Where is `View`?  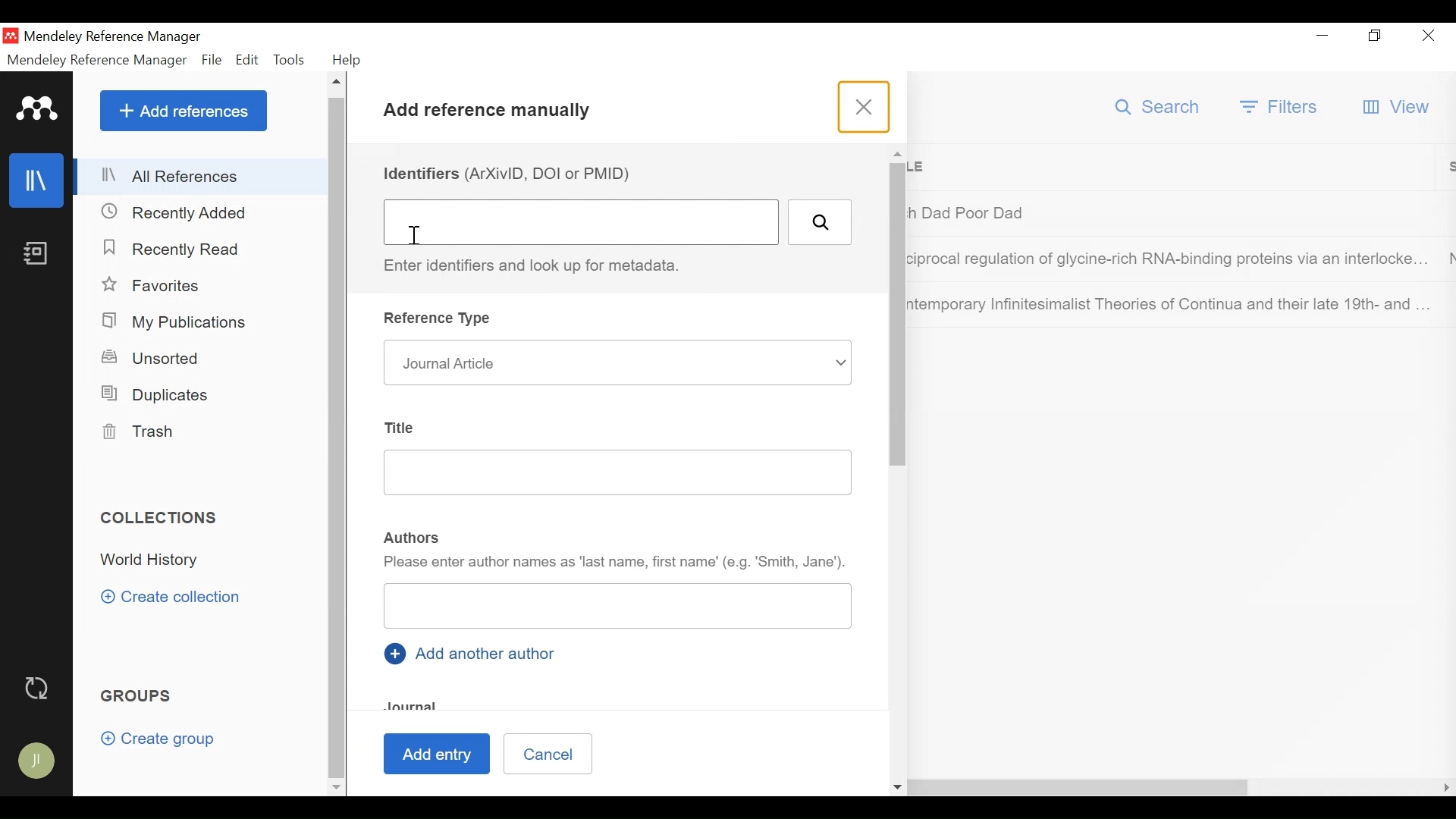
View is located at coordinates (1401, 106).